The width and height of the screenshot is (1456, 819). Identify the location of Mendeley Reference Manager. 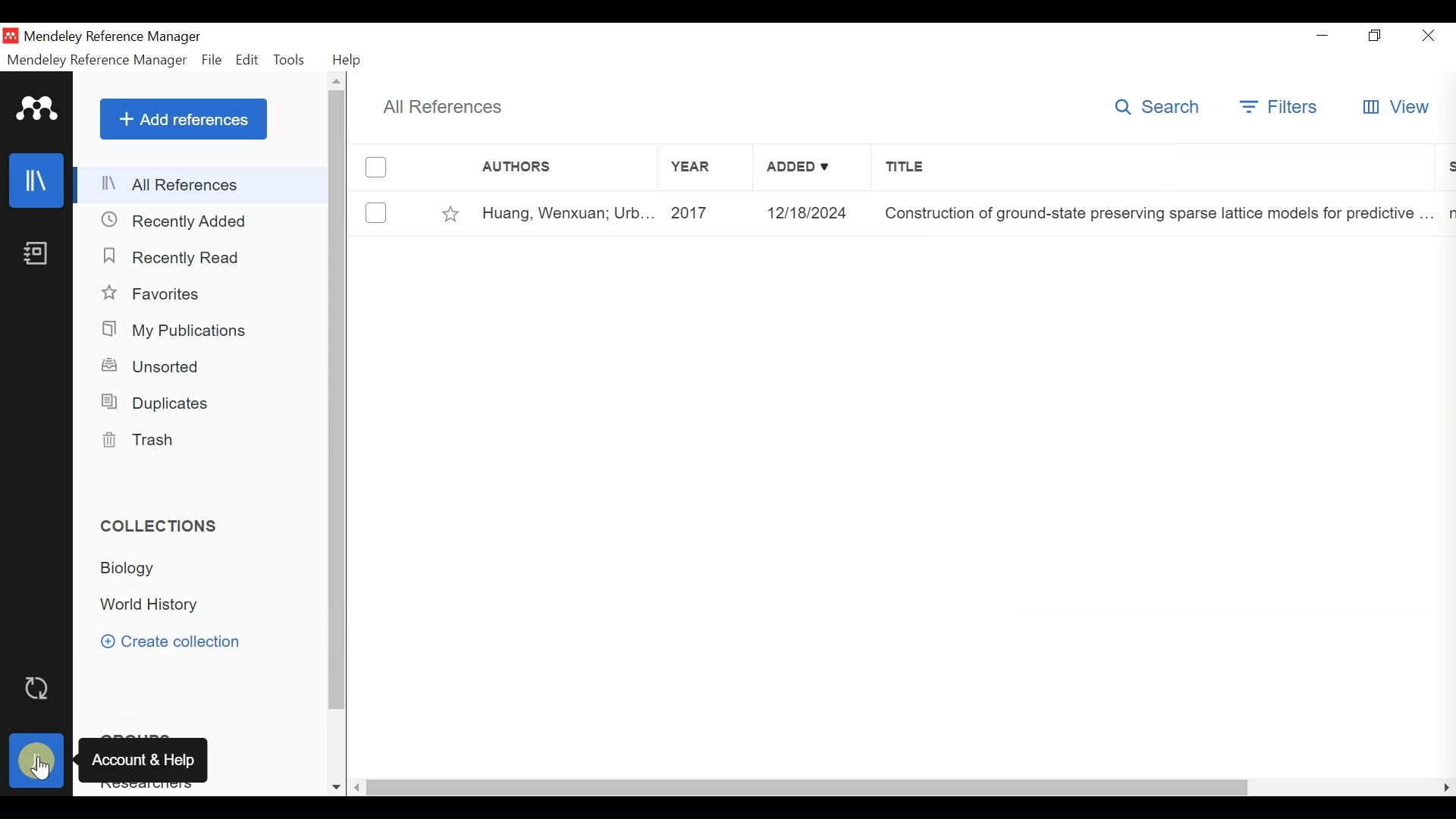
(98, 61).